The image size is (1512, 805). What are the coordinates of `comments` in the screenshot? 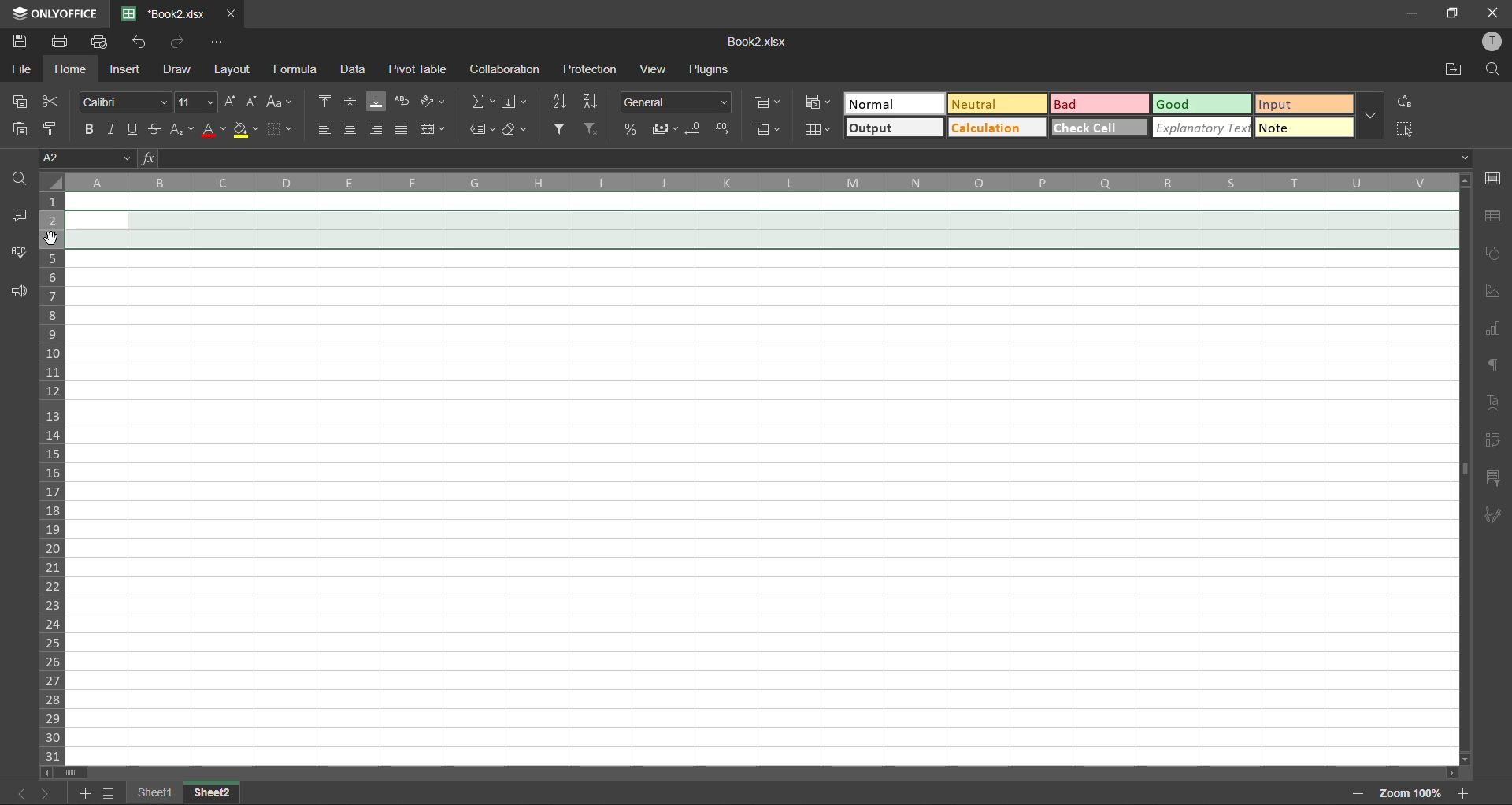 It's located at (22, 218).